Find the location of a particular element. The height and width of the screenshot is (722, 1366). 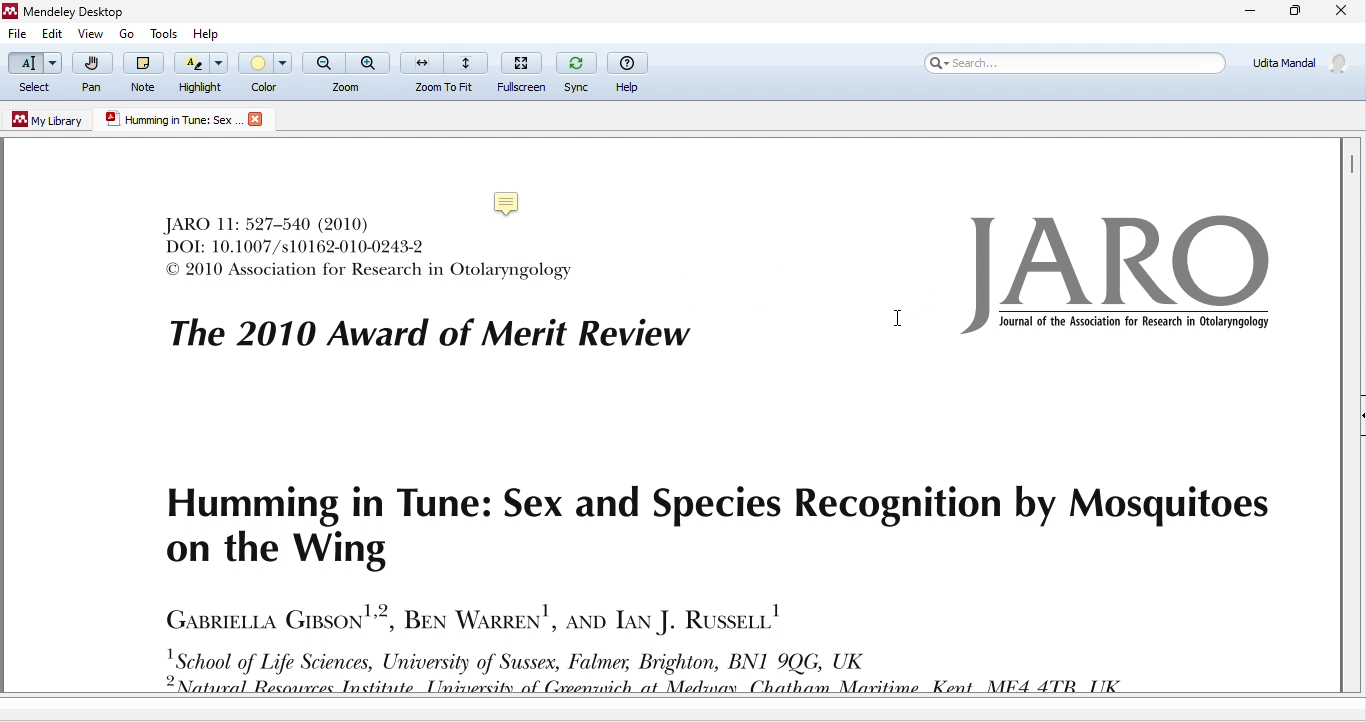

go is located at coordinates (124, 34).